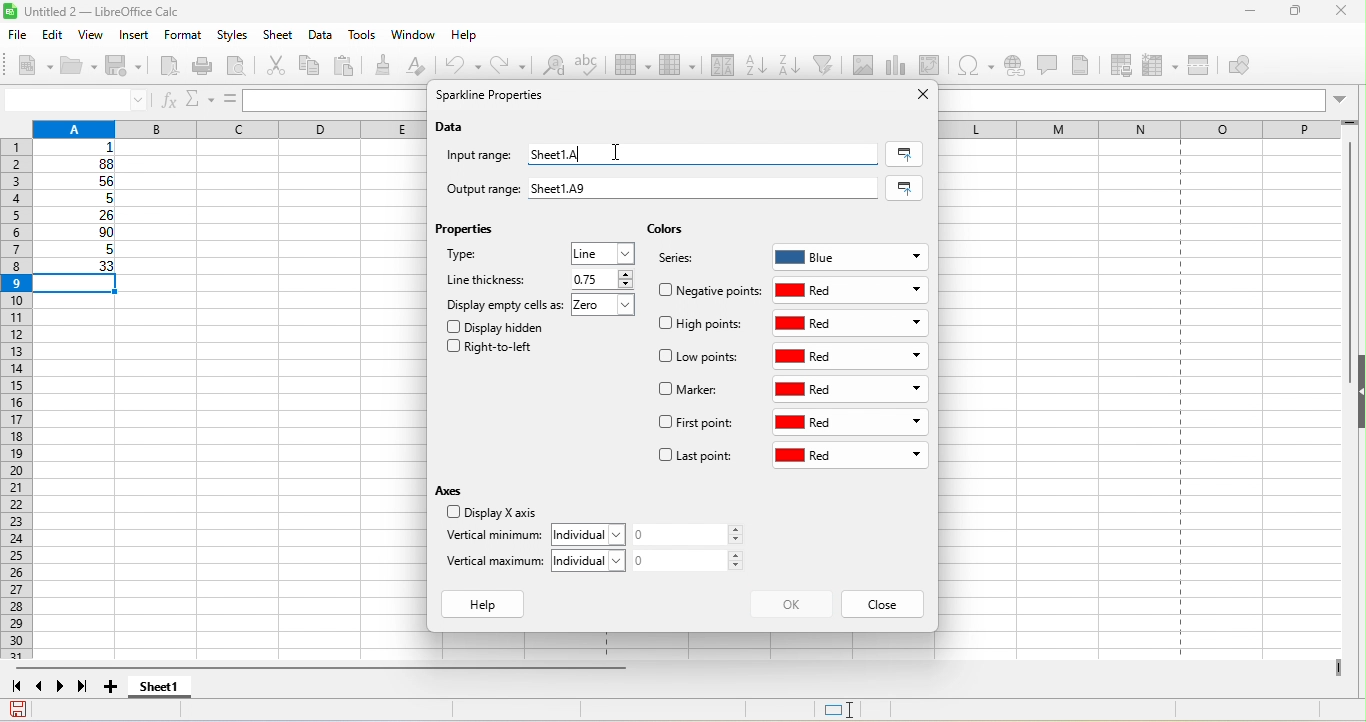 This screenshot has width=1366, height=722. What do you see at coordinates (16, 687) in the screenshot?
I see `scroll to first sheet` at bounding box center [16, 687].